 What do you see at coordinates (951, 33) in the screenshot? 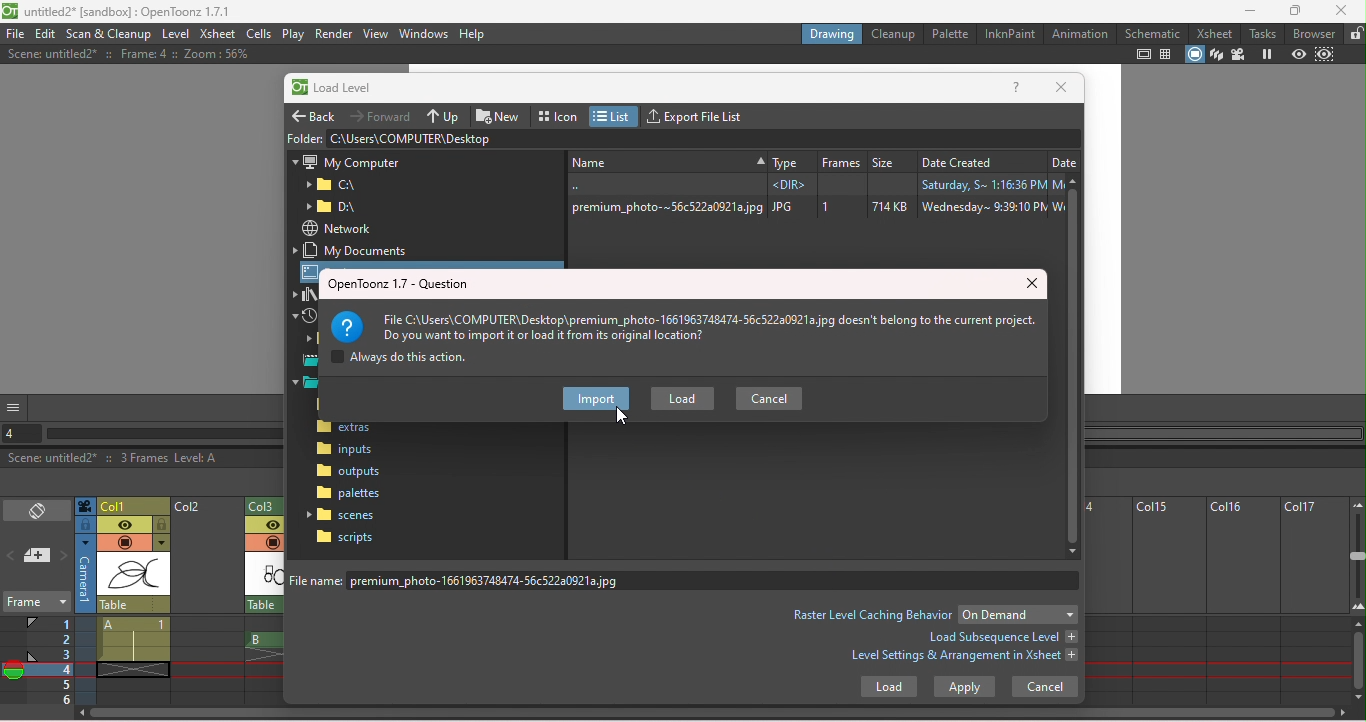
I see `Palette` at bounding box center [951, 33].